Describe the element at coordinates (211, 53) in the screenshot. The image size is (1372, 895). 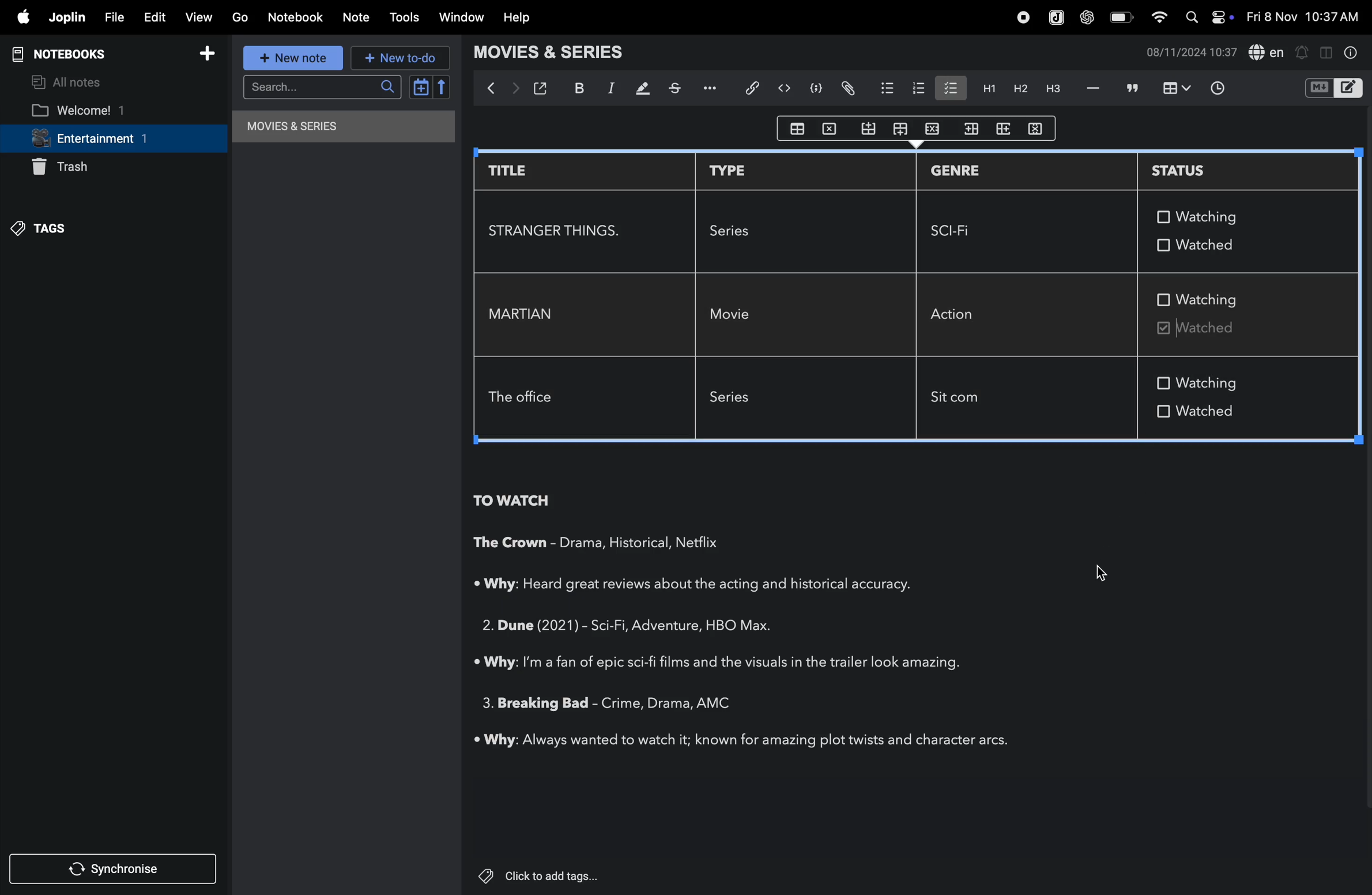
I see `add` at that location.